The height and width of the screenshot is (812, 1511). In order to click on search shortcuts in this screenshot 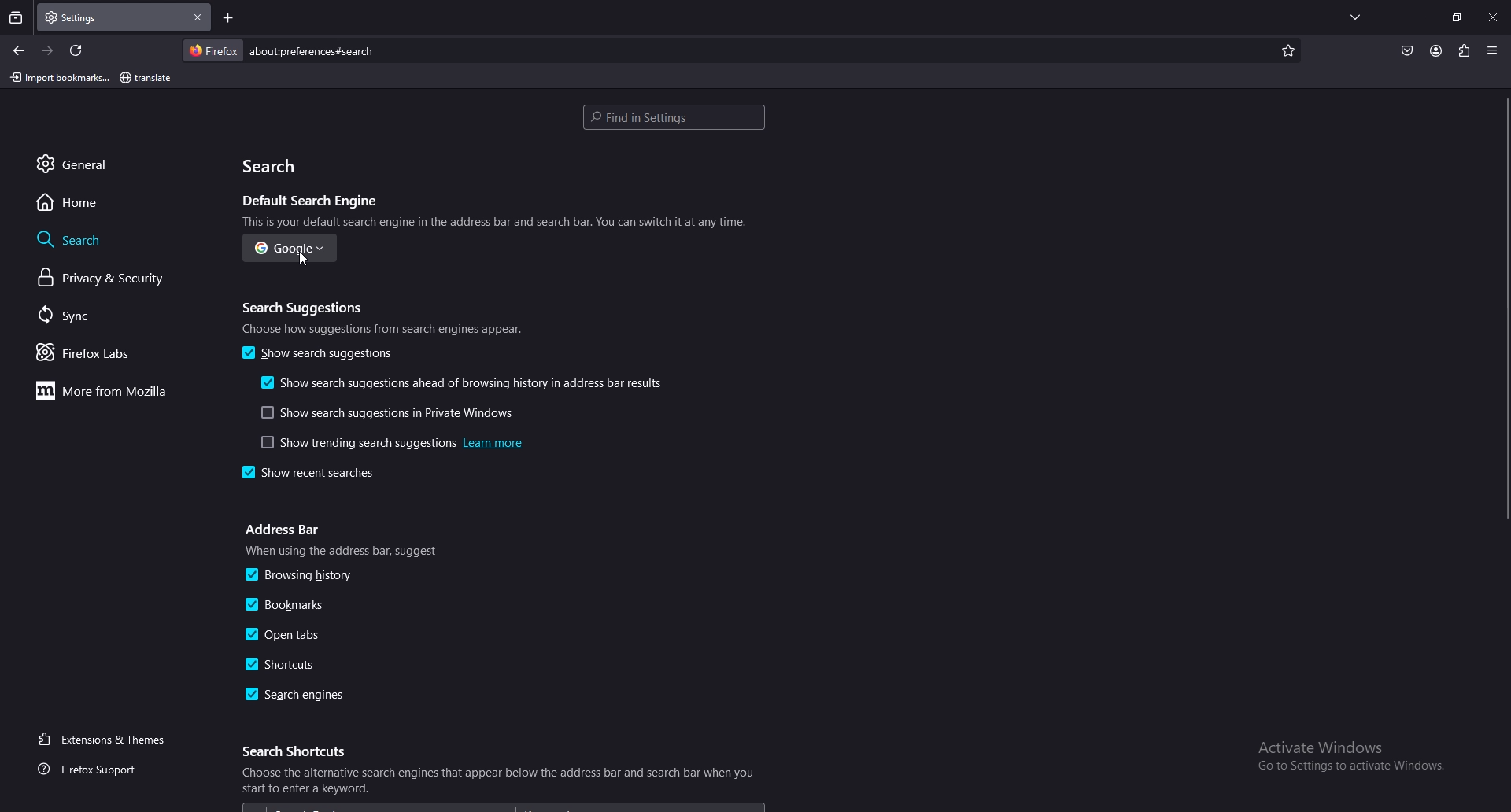, I will do `click(300, 751)`.